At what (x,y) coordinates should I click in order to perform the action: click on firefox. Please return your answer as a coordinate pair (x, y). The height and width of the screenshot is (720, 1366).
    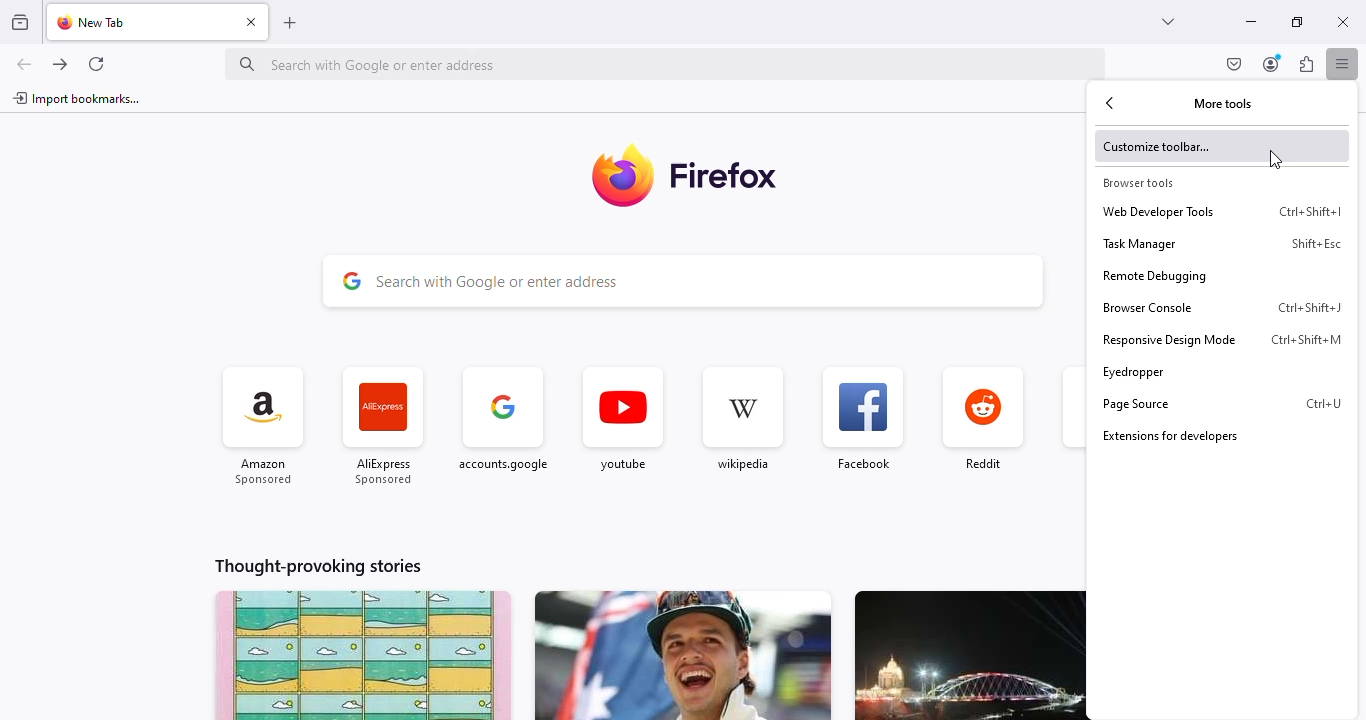
    Looking at the image, I should click on (725, 174).